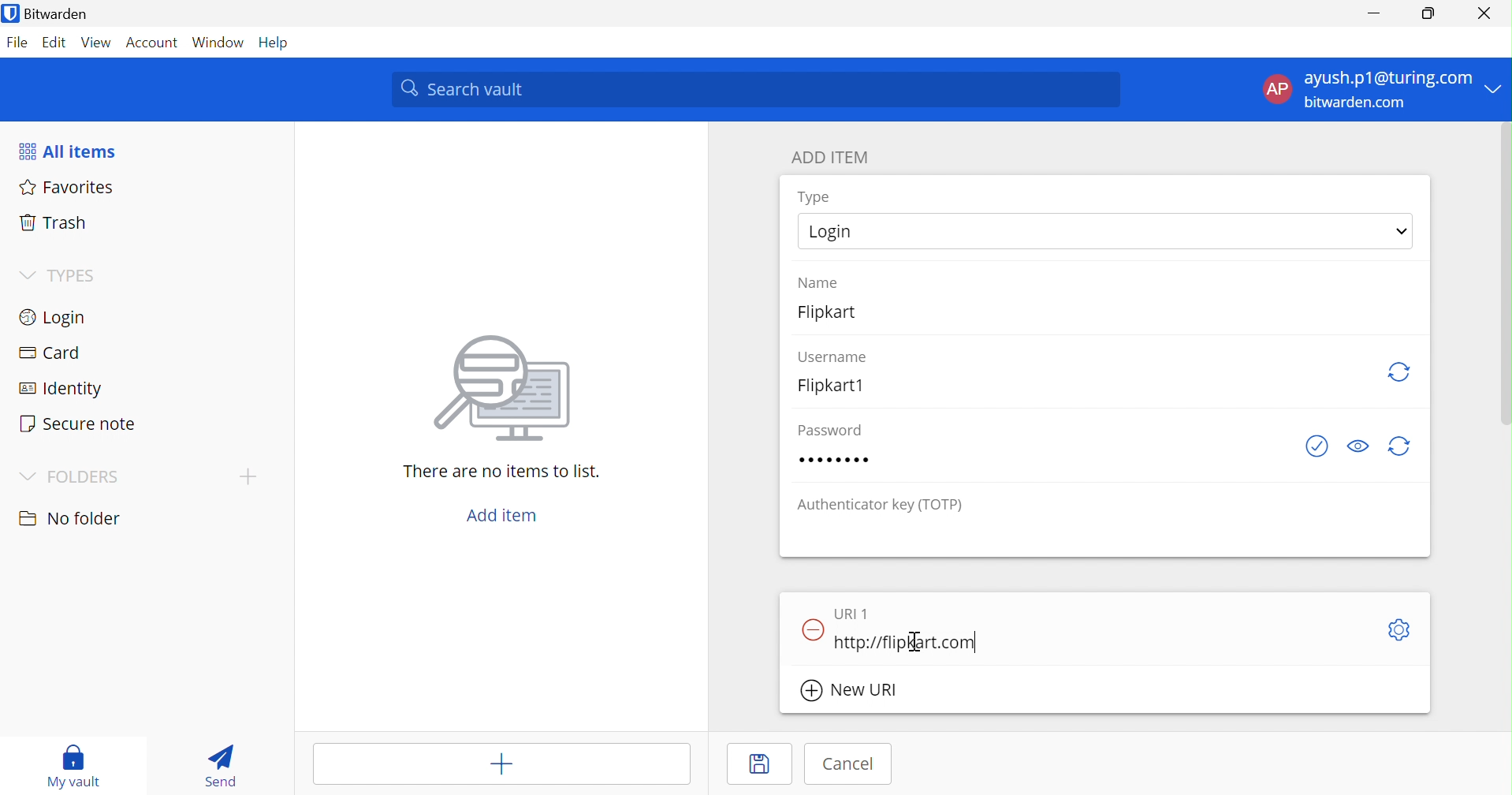 This screenshot has height=795, width=1512. What do you see at coordinates (1400, 447) in the screenshot?
I see `generate password` at bounding box center [1400, 447].